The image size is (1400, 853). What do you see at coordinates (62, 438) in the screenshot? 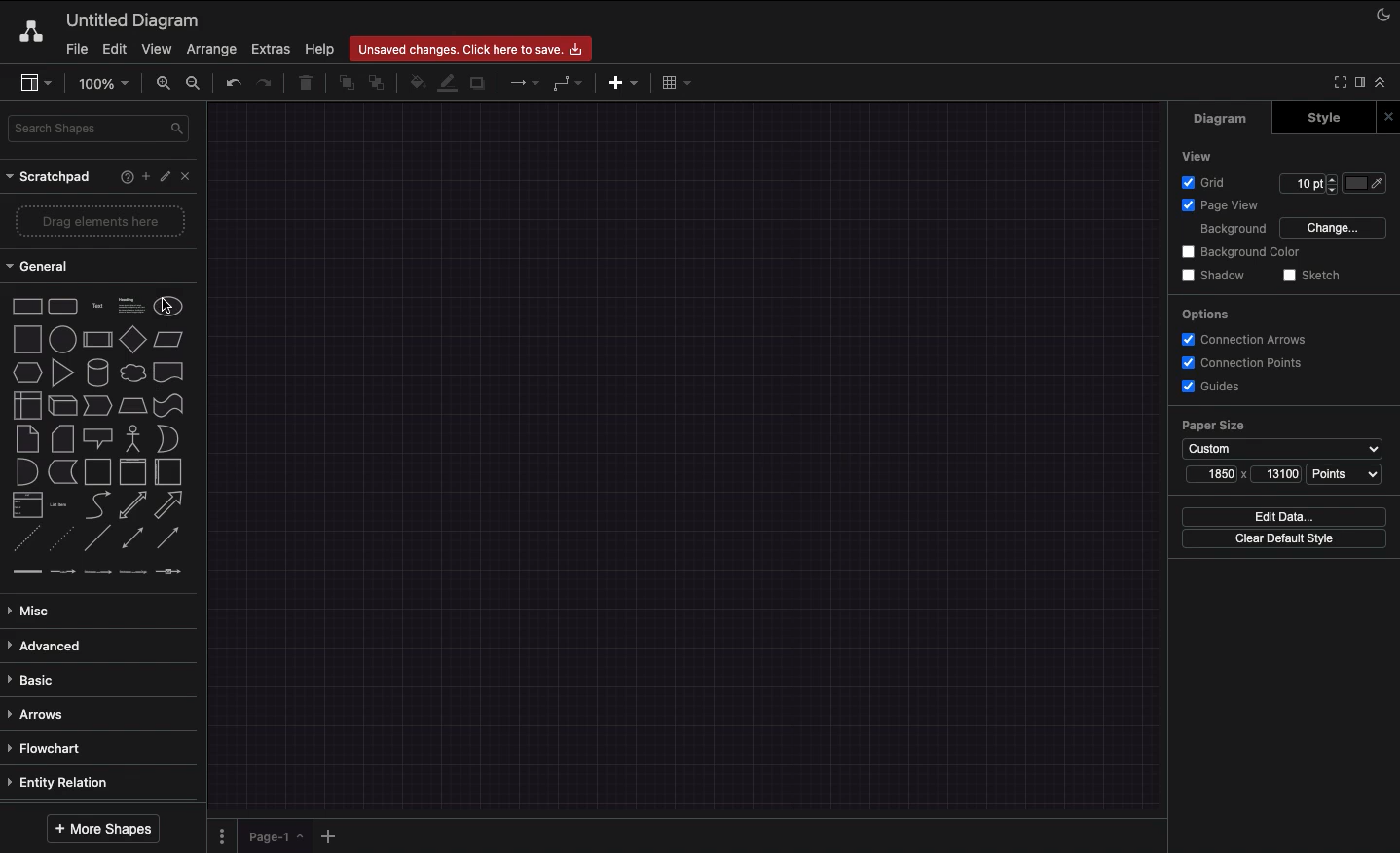
I see `Card` at bounding box center [62, 438].